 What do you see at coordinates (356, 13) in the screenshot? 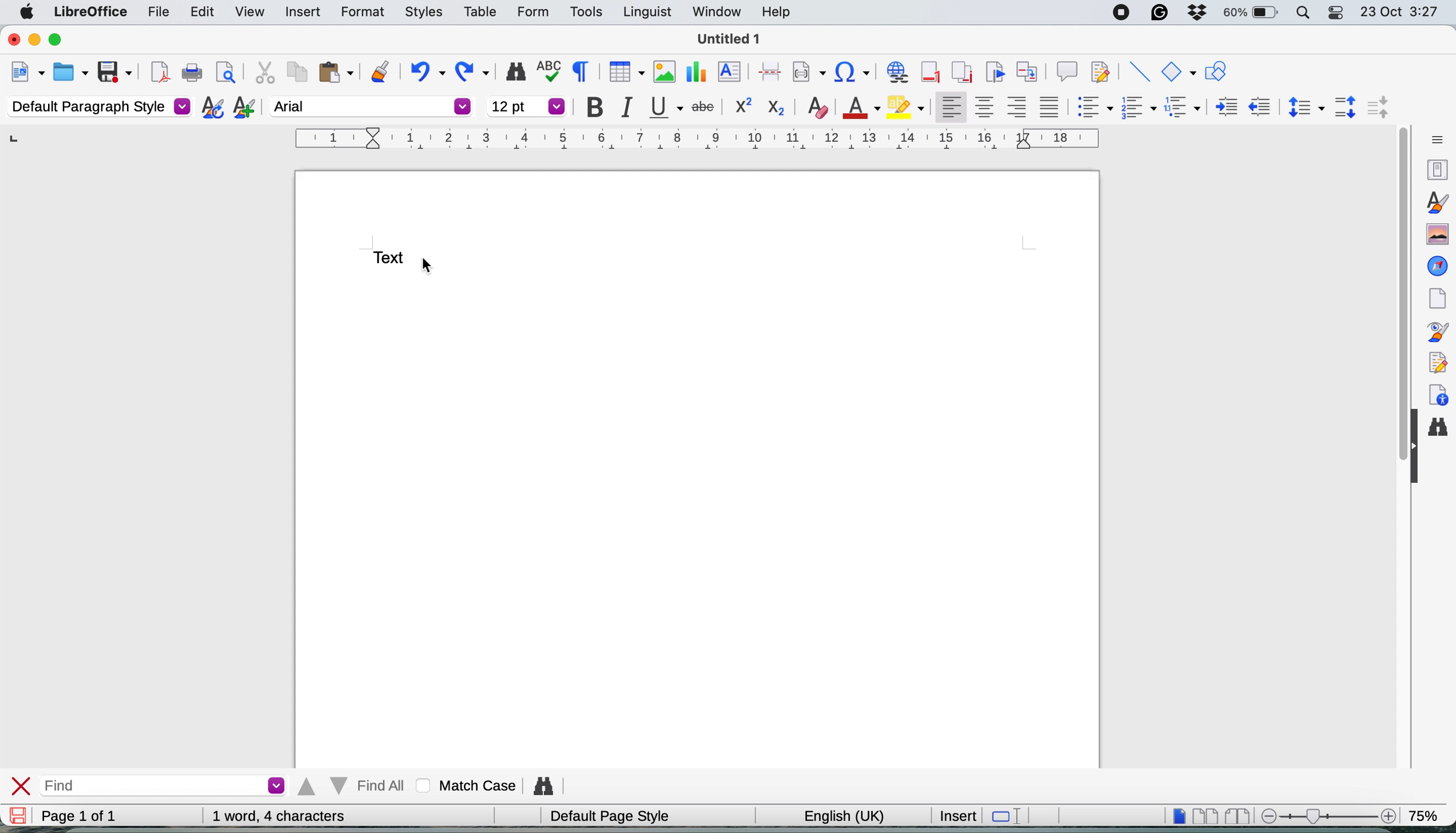
I see `format` at bounding box center [356, 13].